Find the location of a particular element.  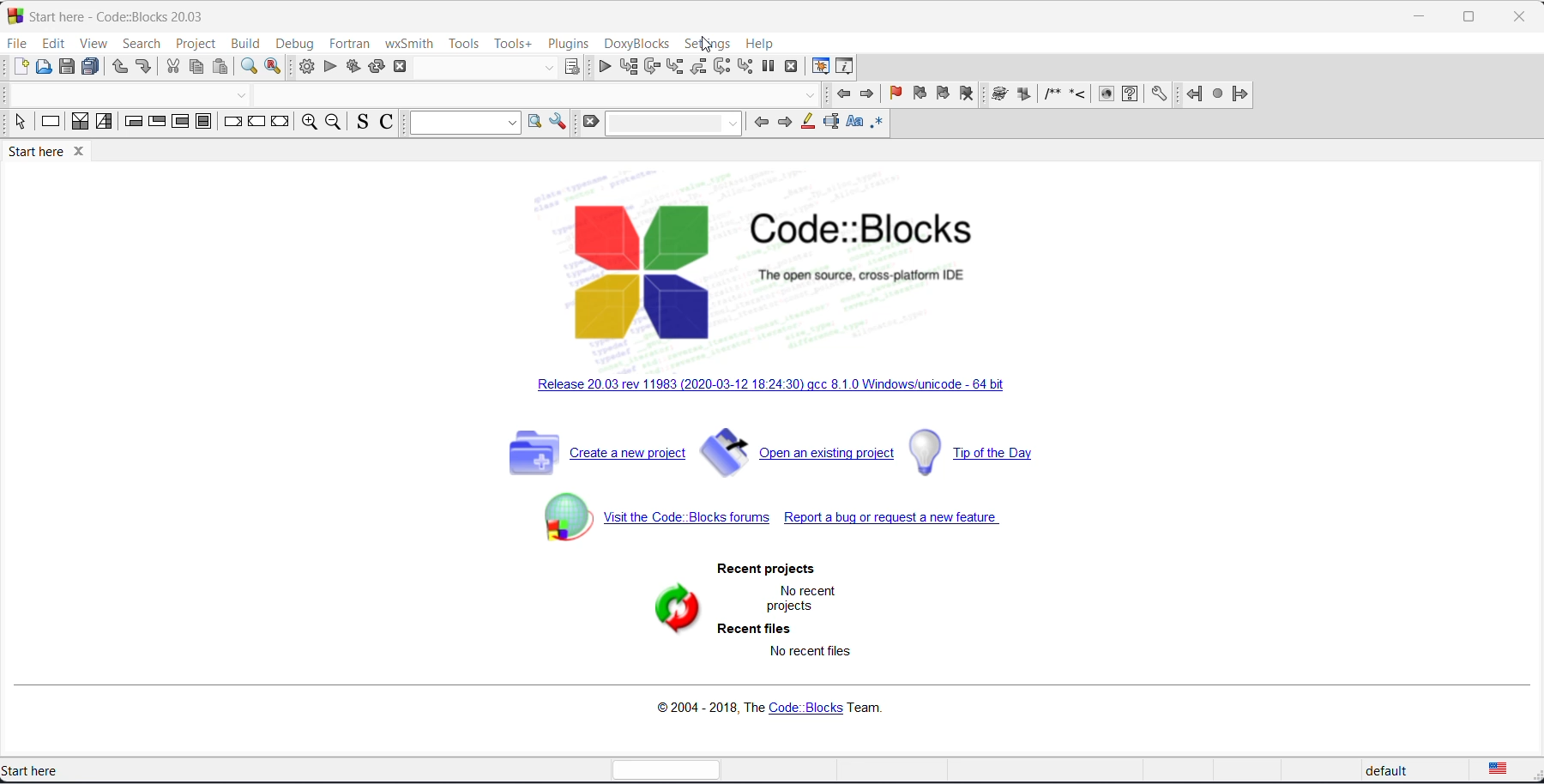

dropdown is located at coordinates (673, 124).